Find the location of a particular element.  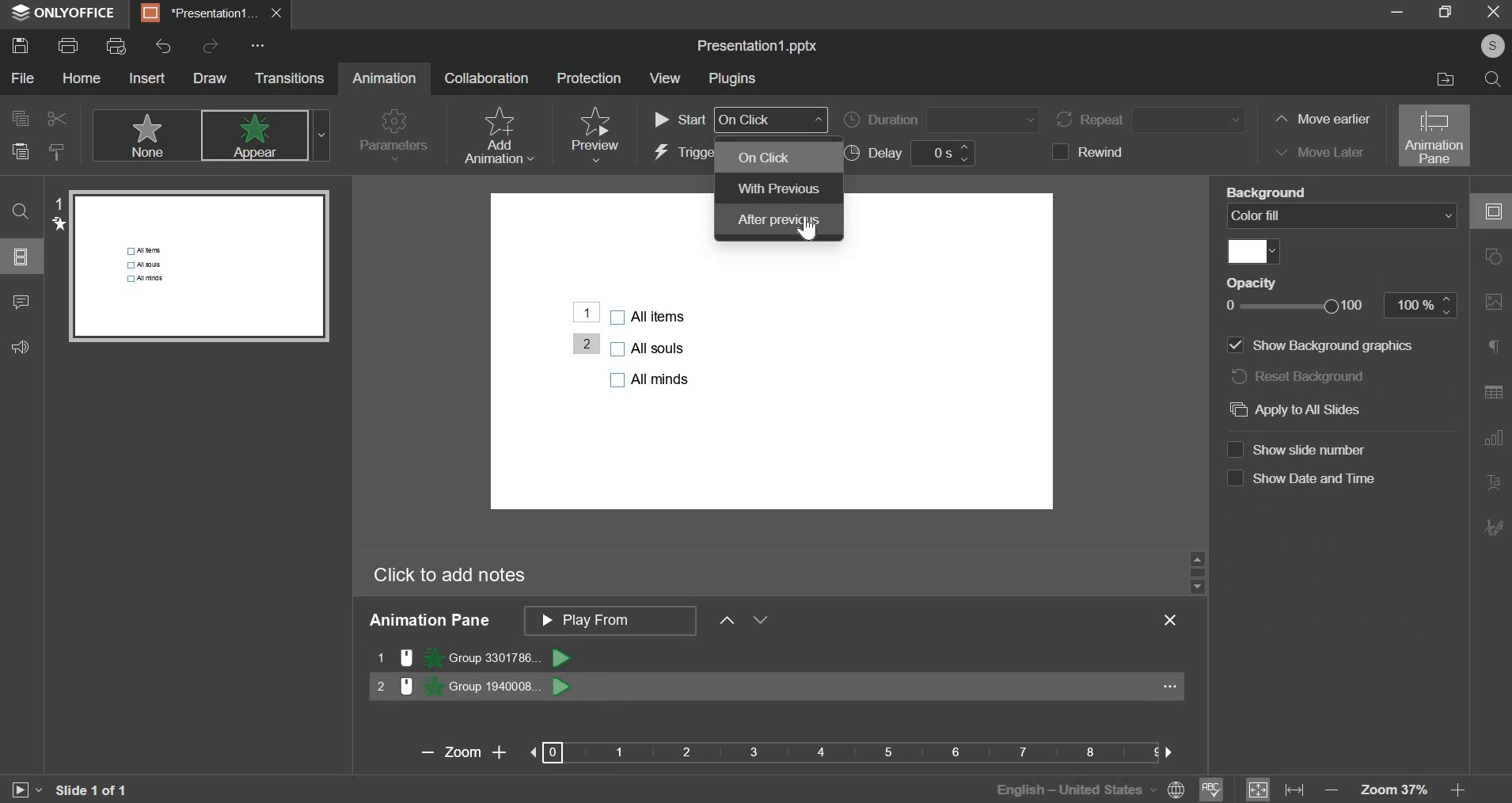

protection is located at coordinates (587, 78).